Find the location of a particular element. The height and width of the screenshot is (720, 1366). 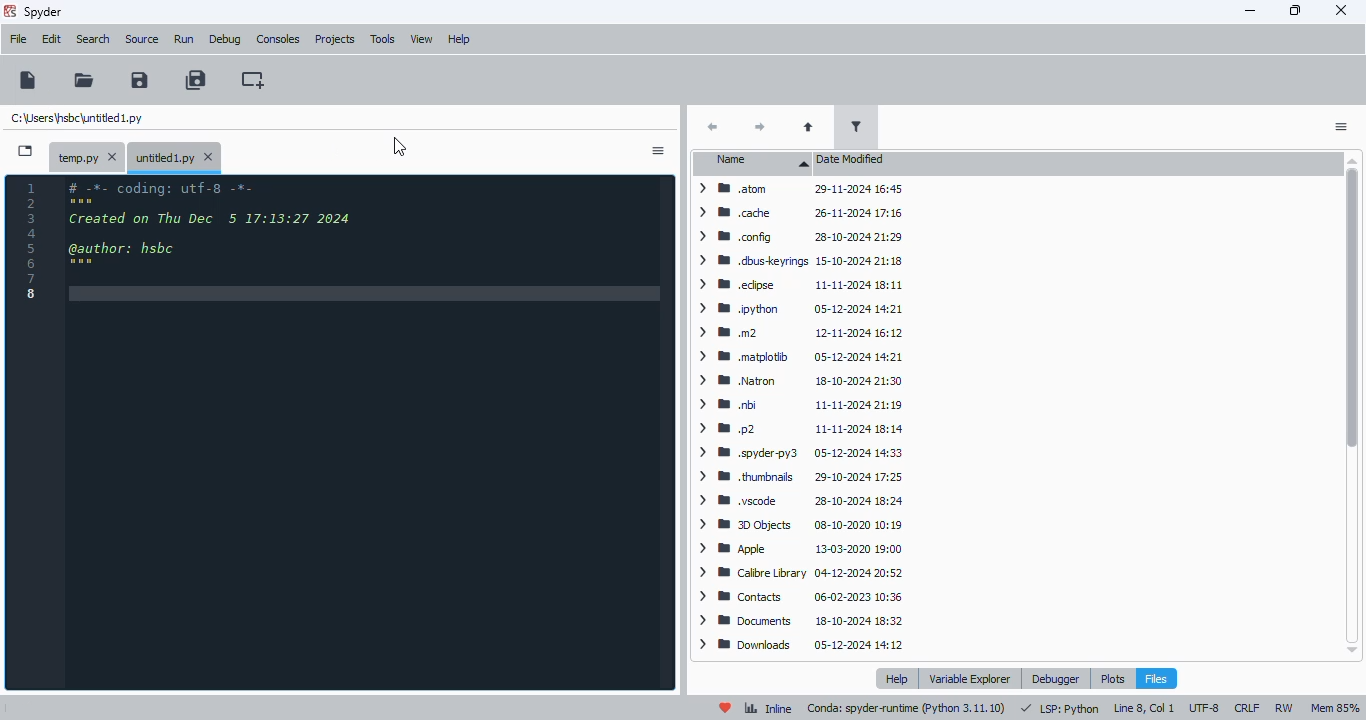

> mom 12-11-2024 16:12 is located at coordinates (797, 332).